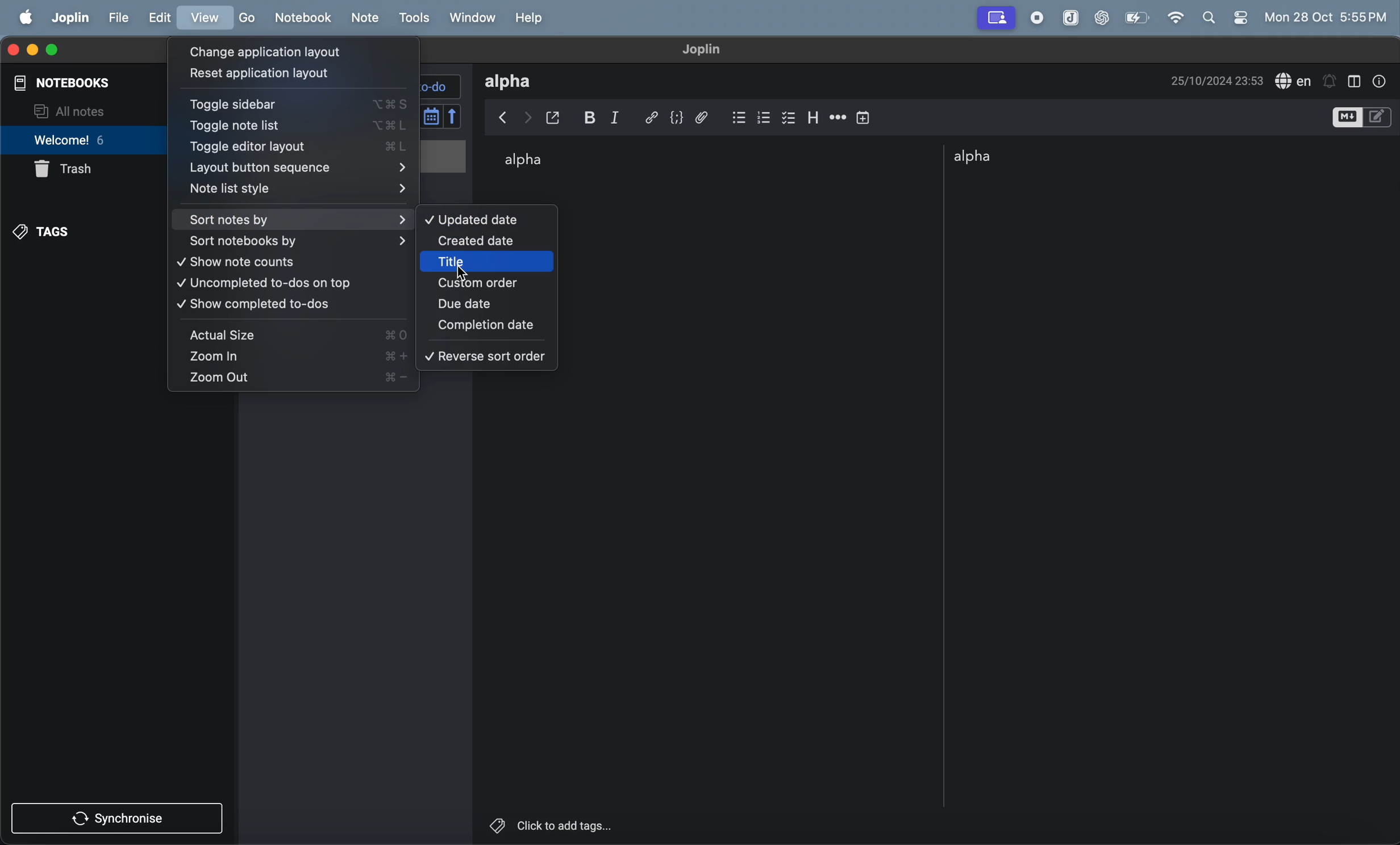 This screenshot has height=845, width=1400. I want to click on show notes count, so click(288, 262).